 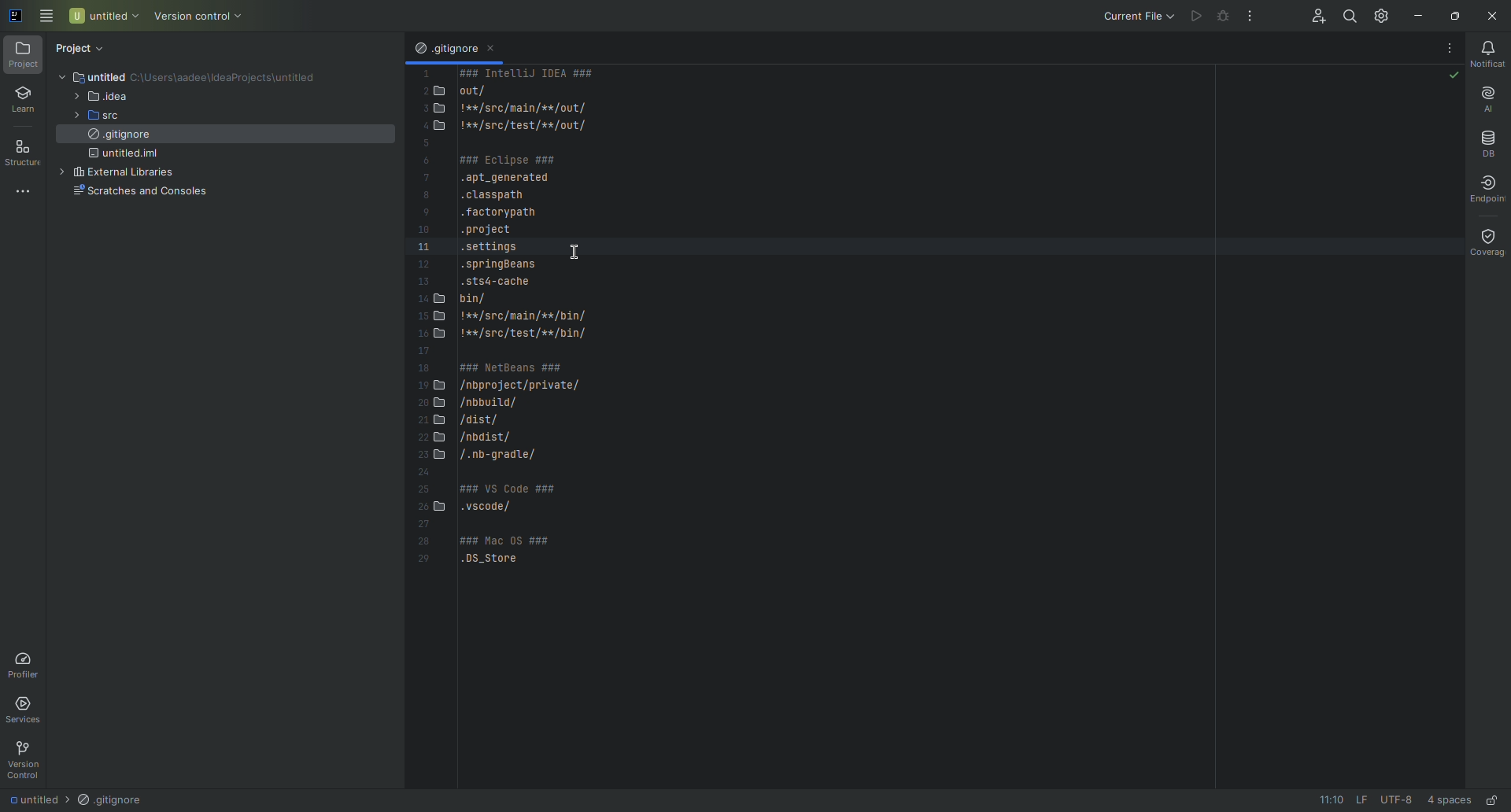 I want to click on Main Menu, so click(x=47, y=17).